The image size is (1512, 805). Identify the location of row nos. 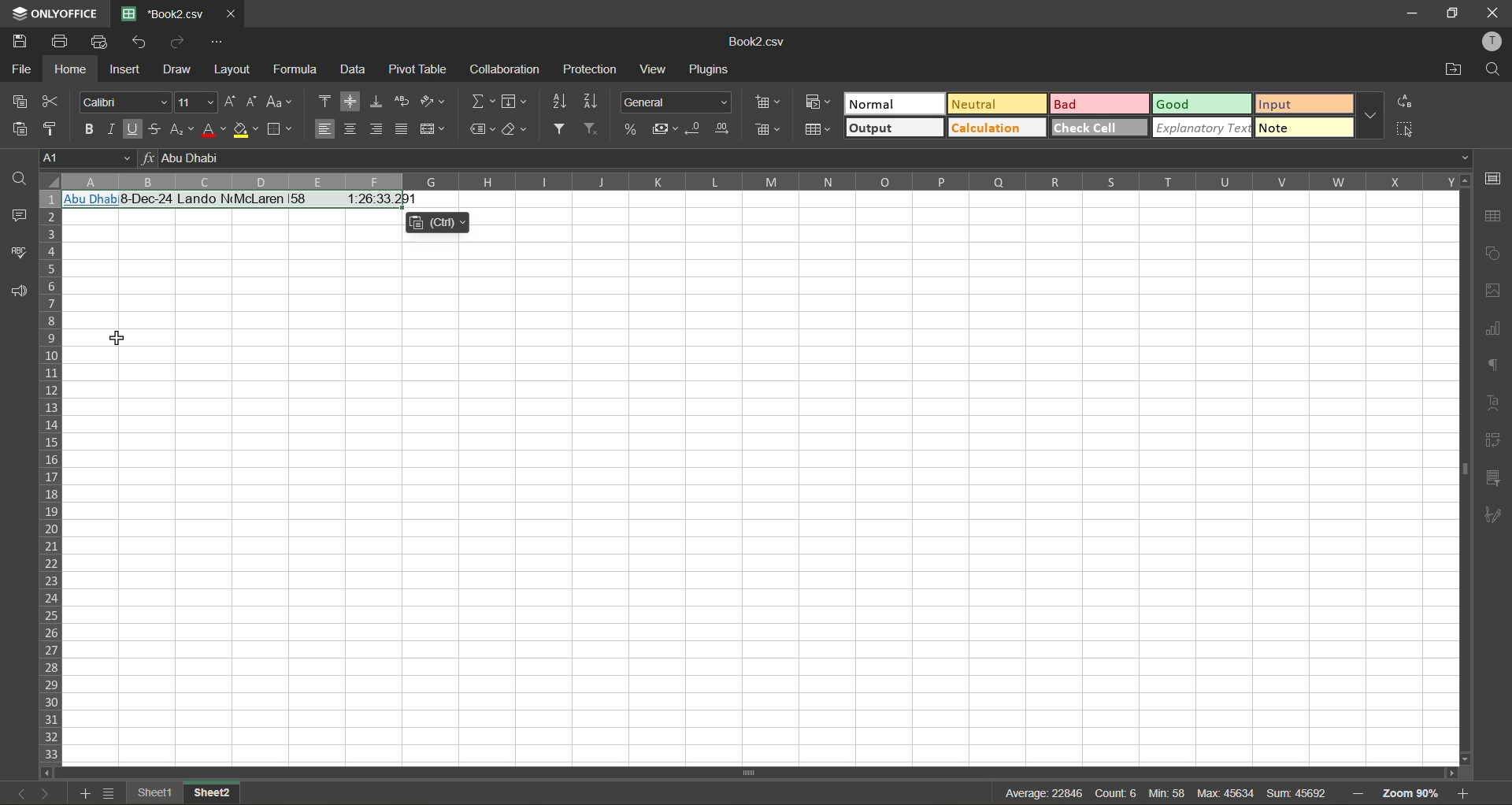
(48, 477).